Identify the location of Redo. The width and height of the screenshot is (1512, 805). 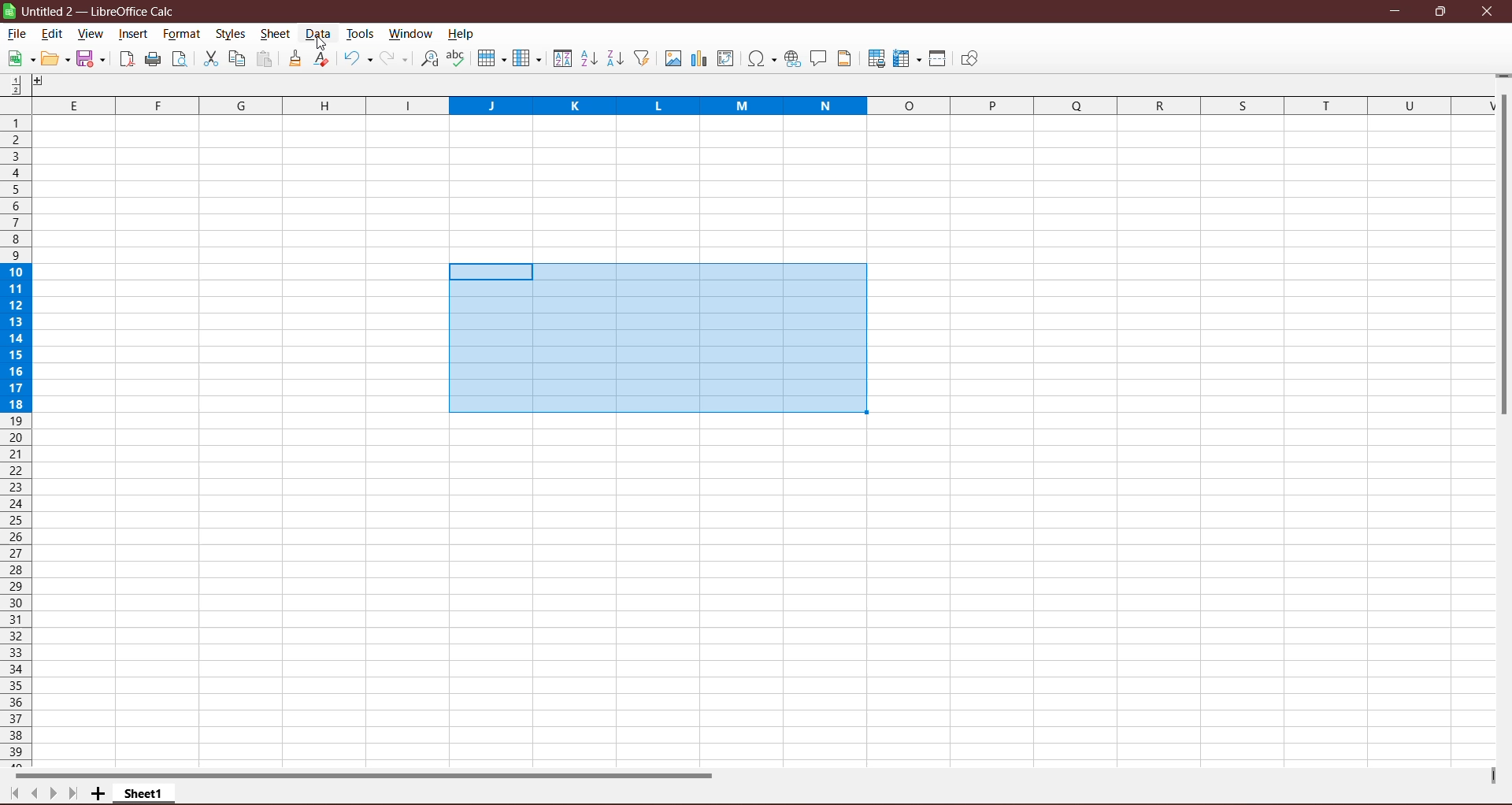
(395, 58).